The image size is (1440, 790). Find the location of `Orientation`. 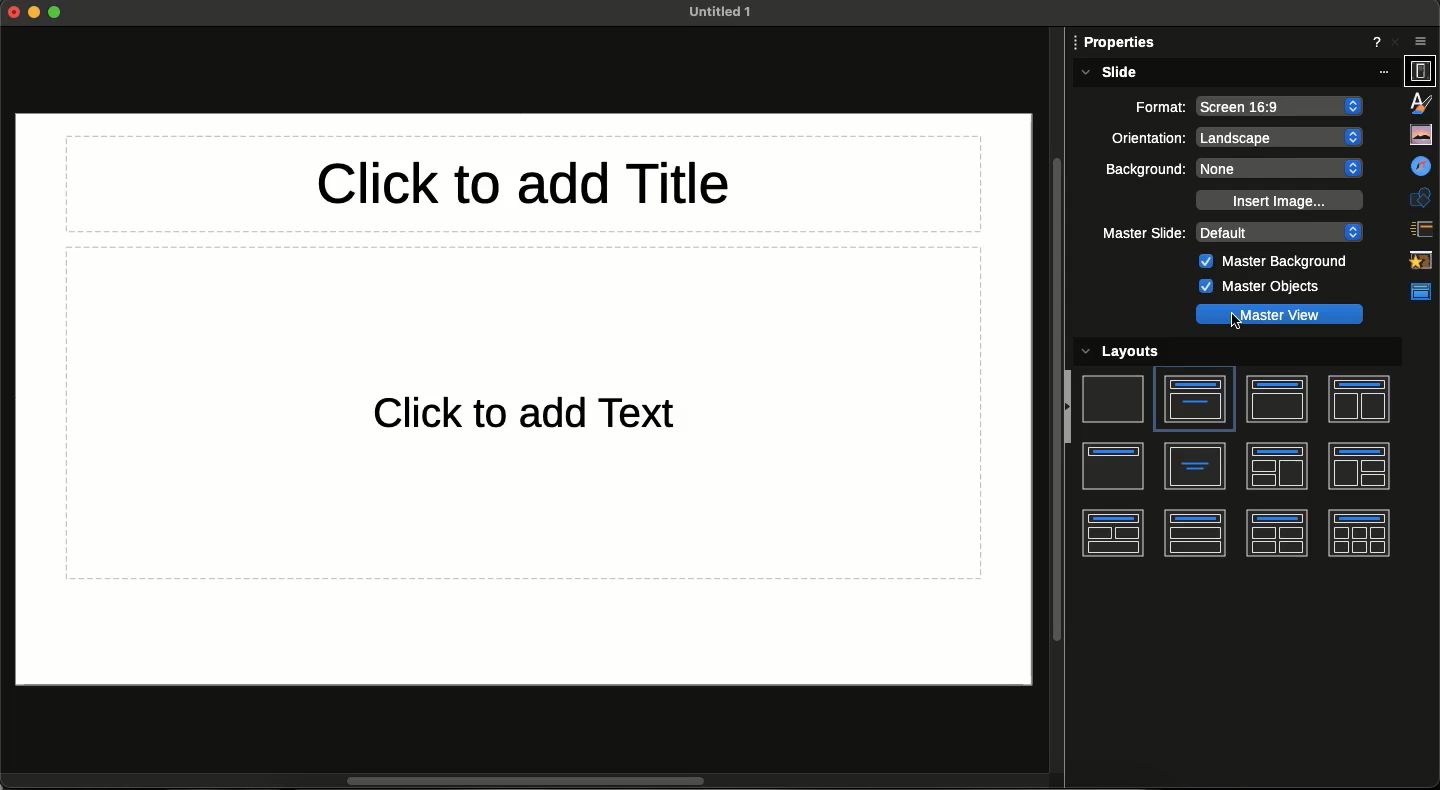

Orientation is located at coordinates (1145, 138).